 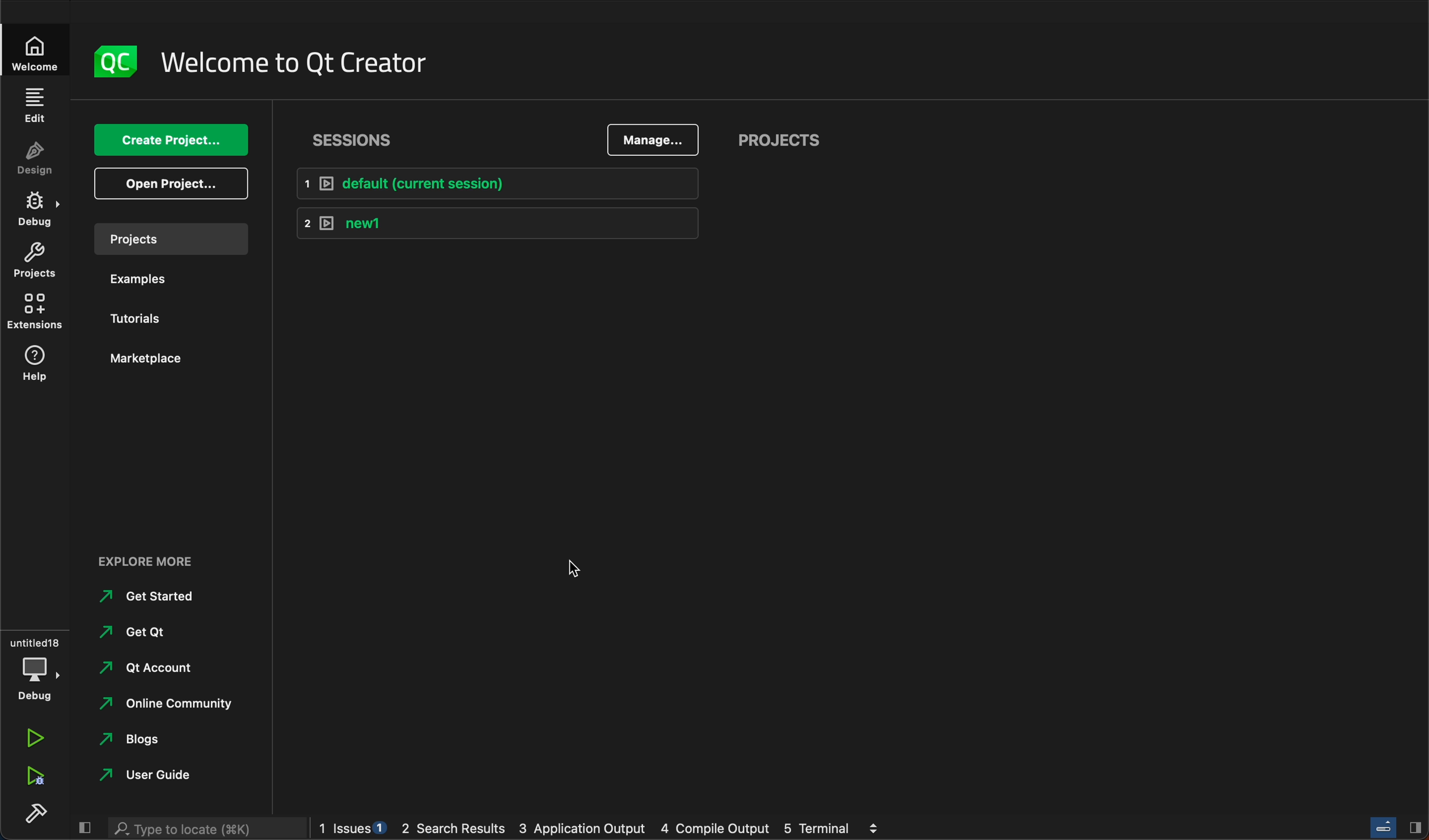 What do you see at coordinates (150, 358) in the screenshot?
I see `marketplace` at bounding box center [150, 358].